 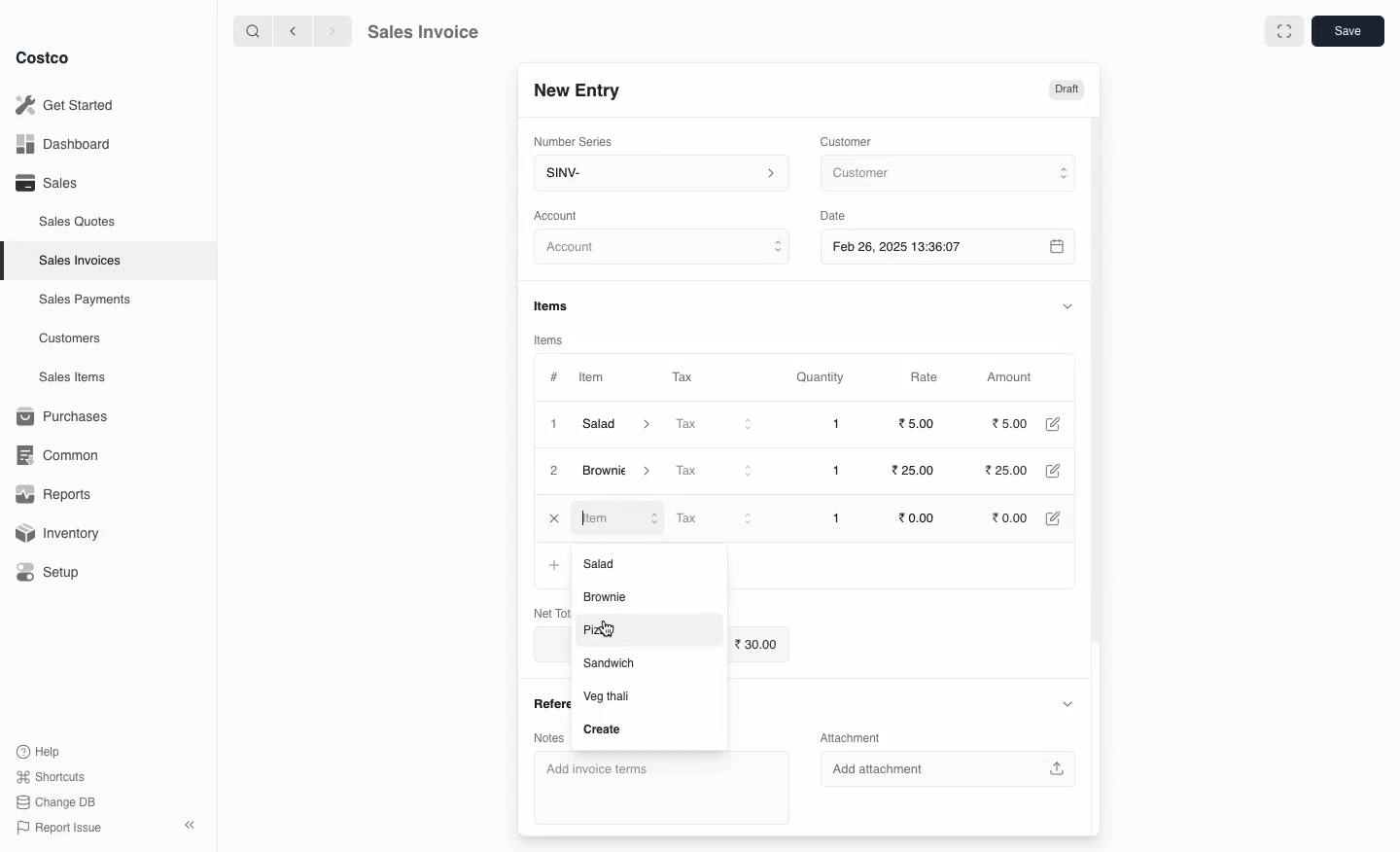 I want to click on Common, so click(x=66, y=455).